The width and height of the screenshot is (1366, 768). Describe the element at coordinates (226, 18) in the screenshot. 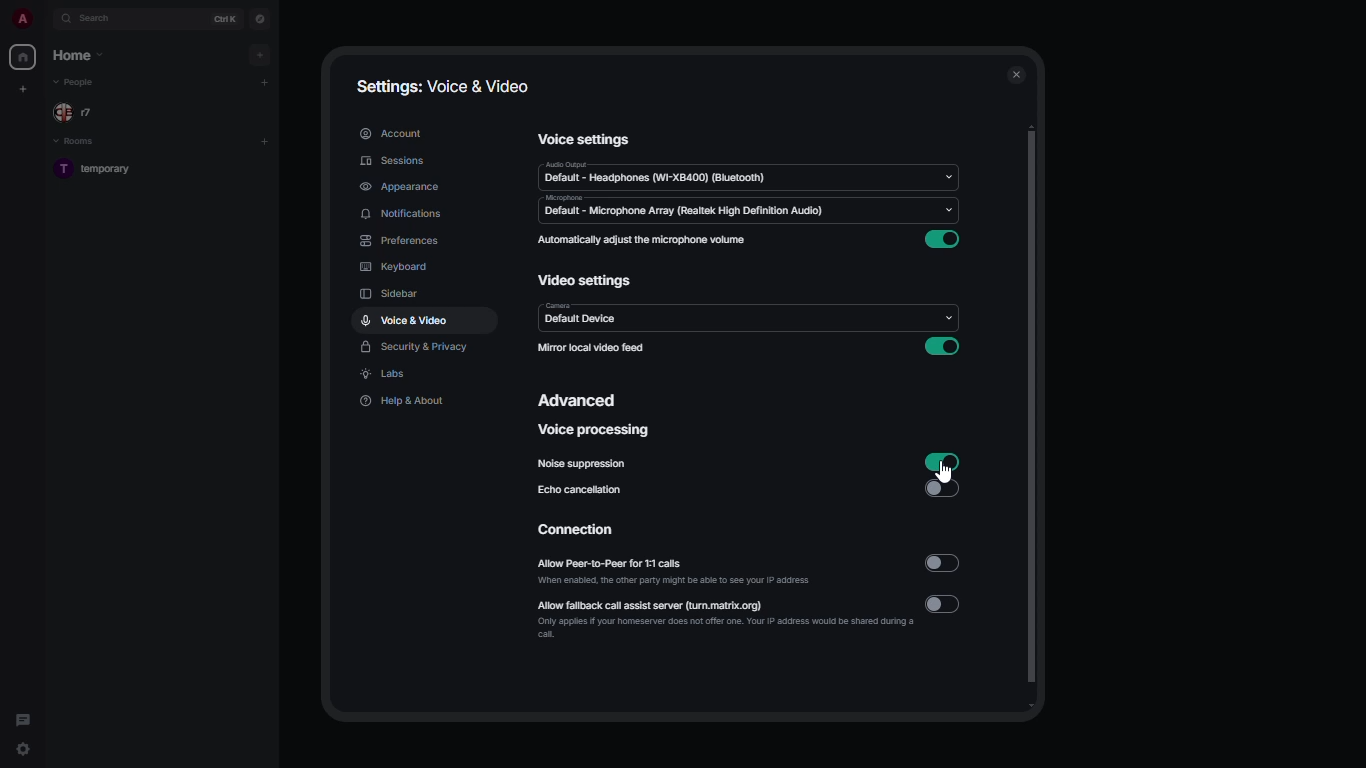

I see `ctrl K` at that location.